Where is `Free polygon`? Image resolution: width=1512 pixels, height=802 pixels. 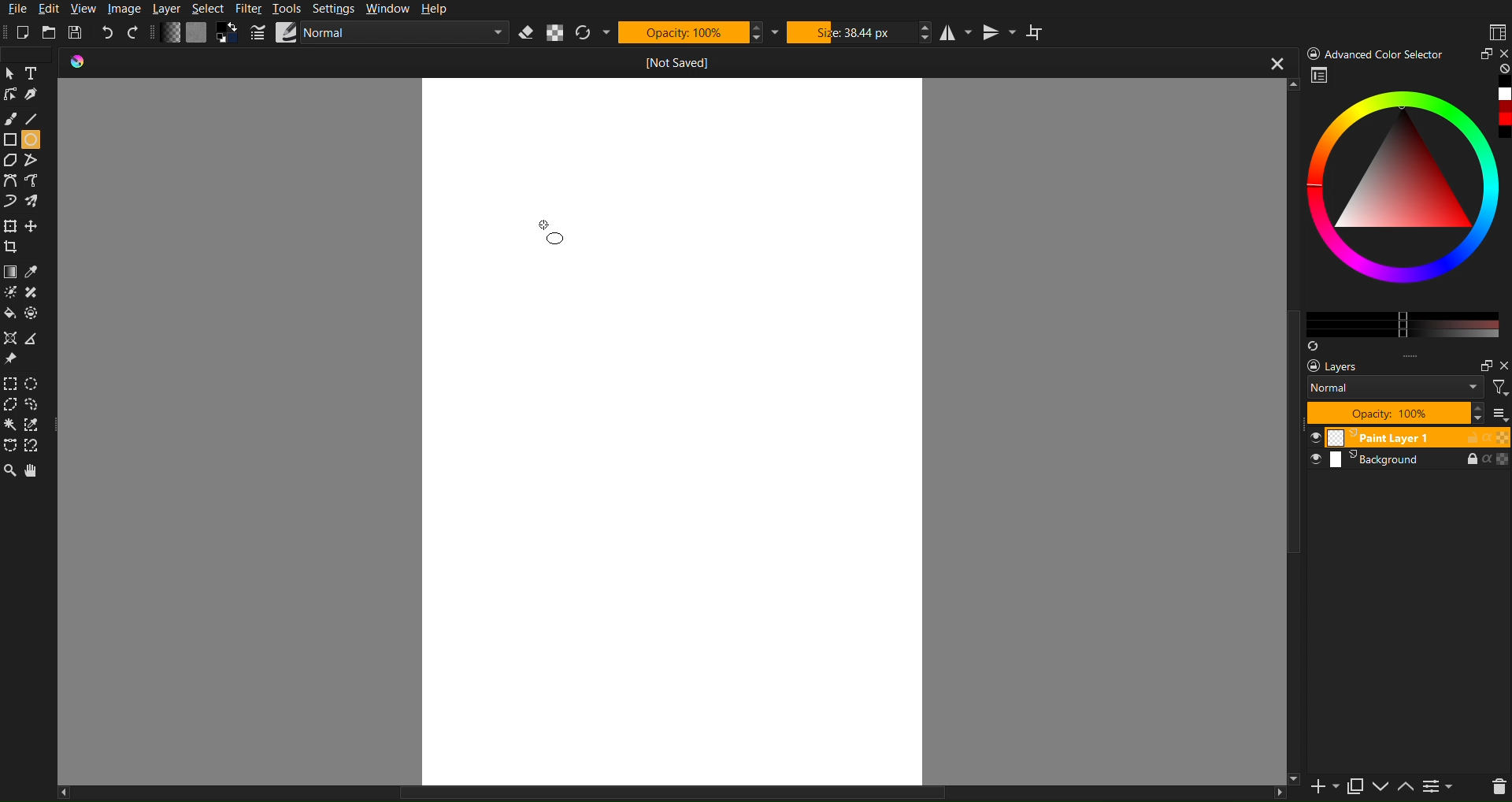
Free polygon is located at coordinates (30, 161).